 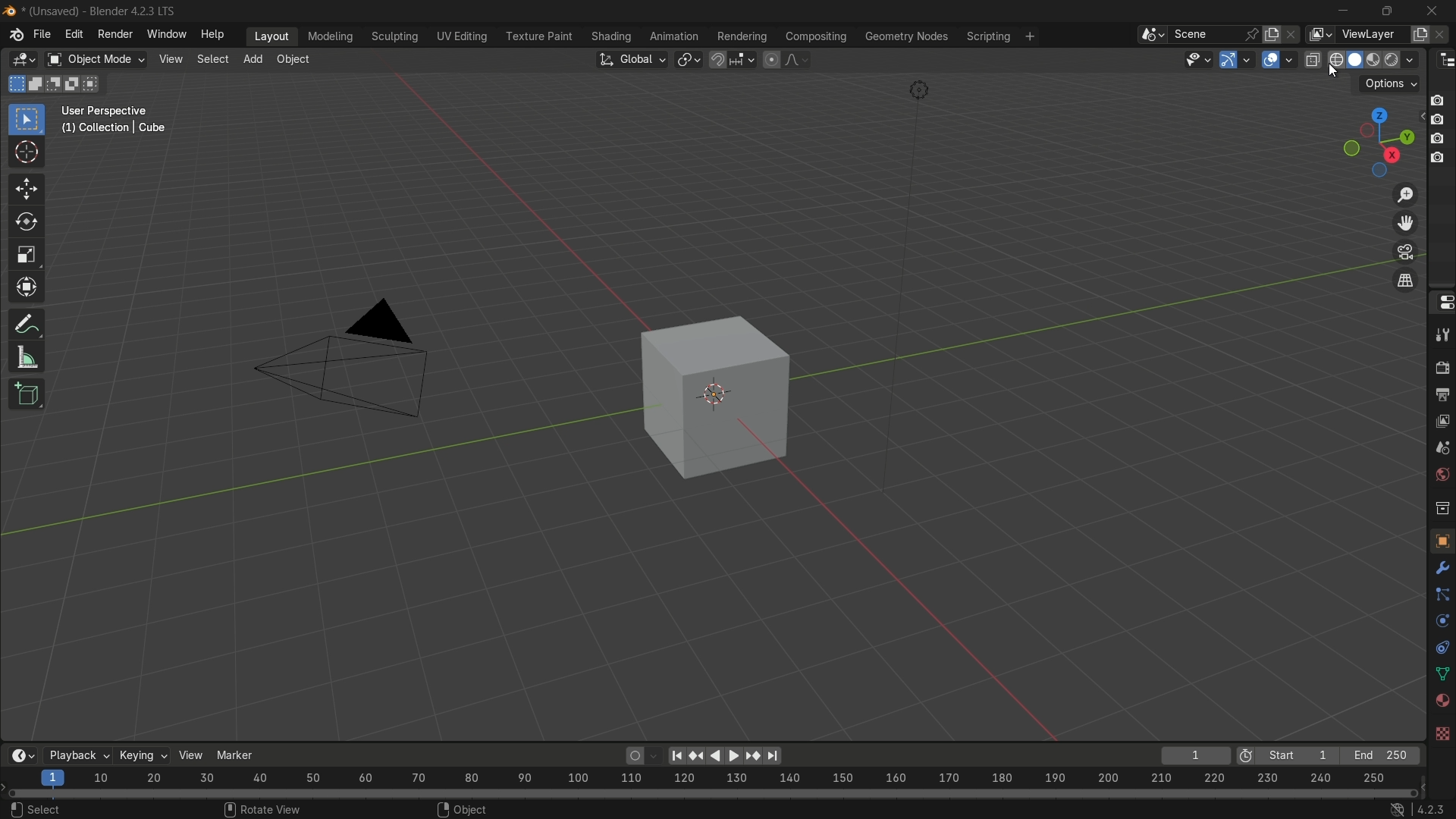 What do you see at coordinates (27, 323) in the screenshot?
I see `annotate` at bounding box center [27, 323].